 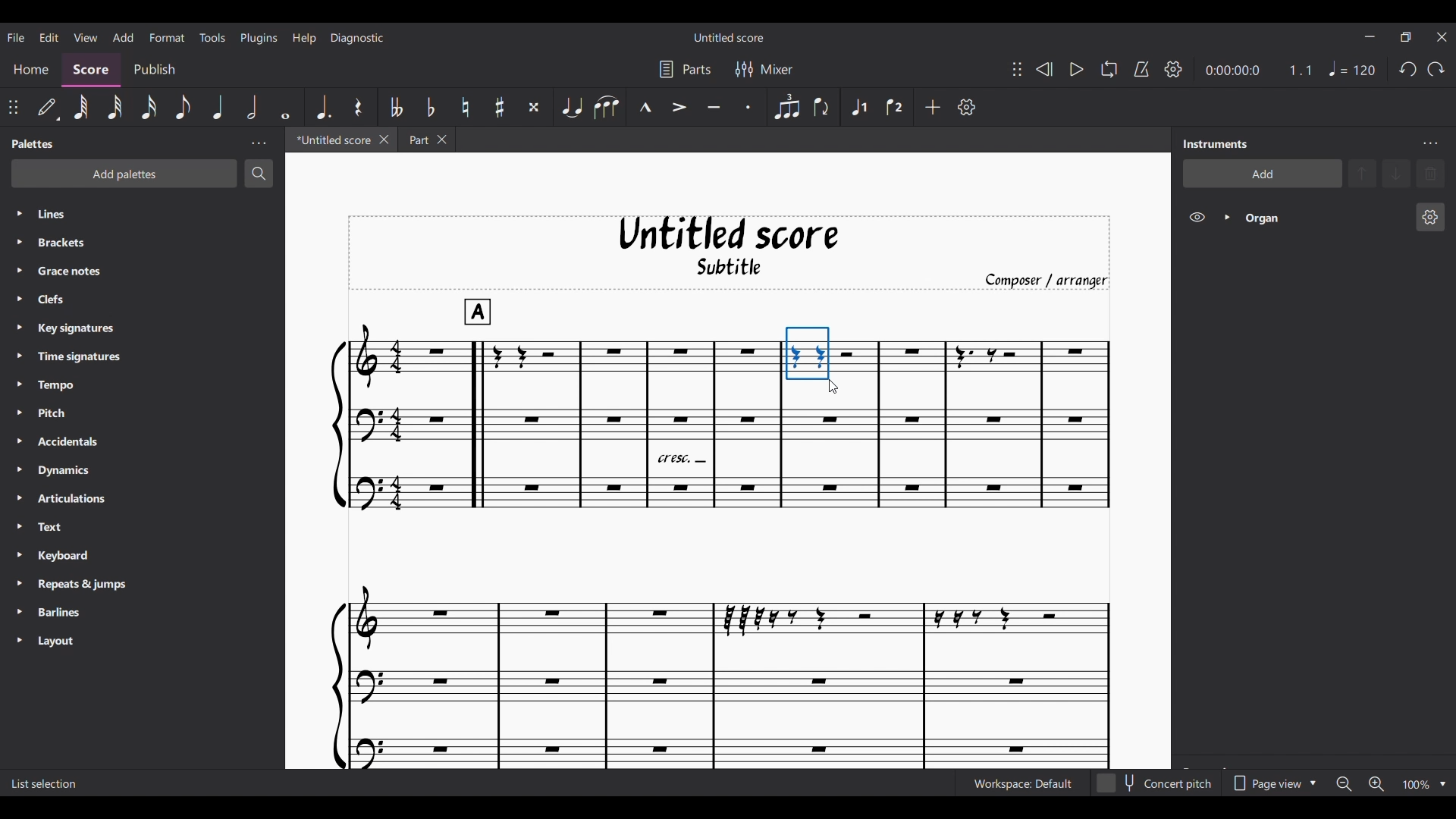 What do you see at coordinates (1263, 173) in the screenshot?
I see `Add instrument` at bounding box center [1263, 173].